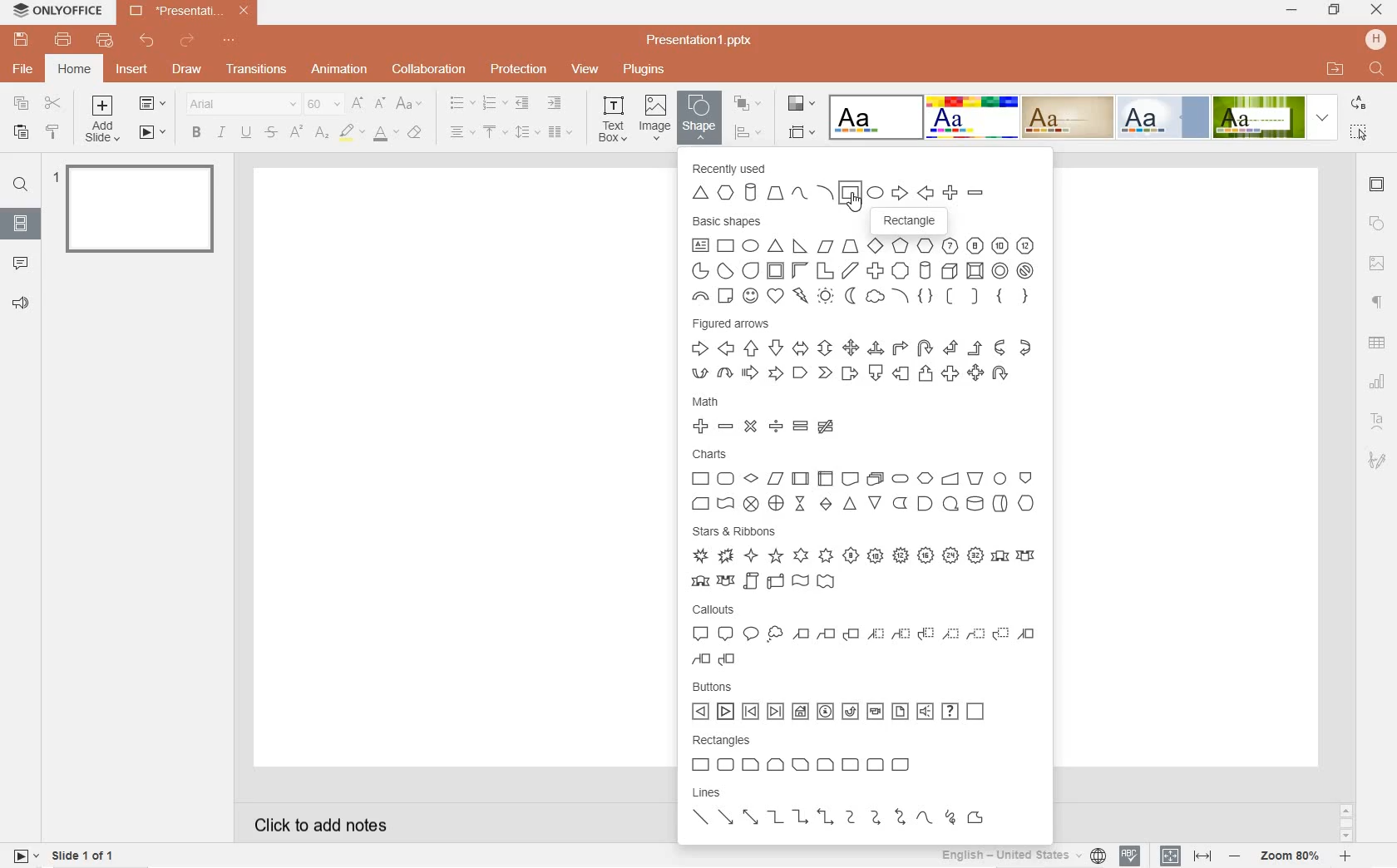 This screenshot has height=868, width=1397. What do you see at coordinates (1025, 297) in the screenshot?
I see `Right Brace` at bounding box center [1025, 297].